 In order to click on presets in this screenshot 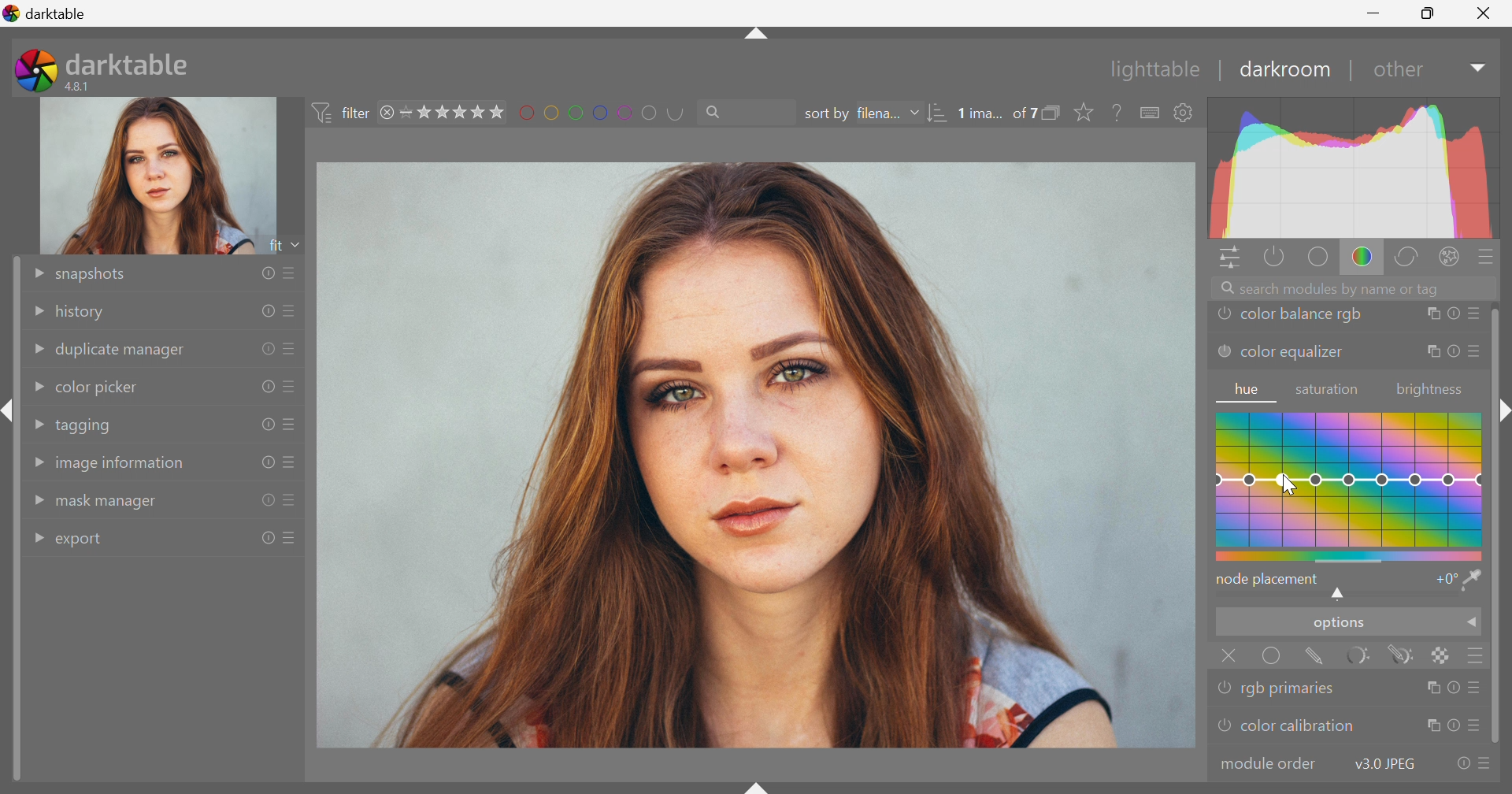, I will do `click(292, 389)`.